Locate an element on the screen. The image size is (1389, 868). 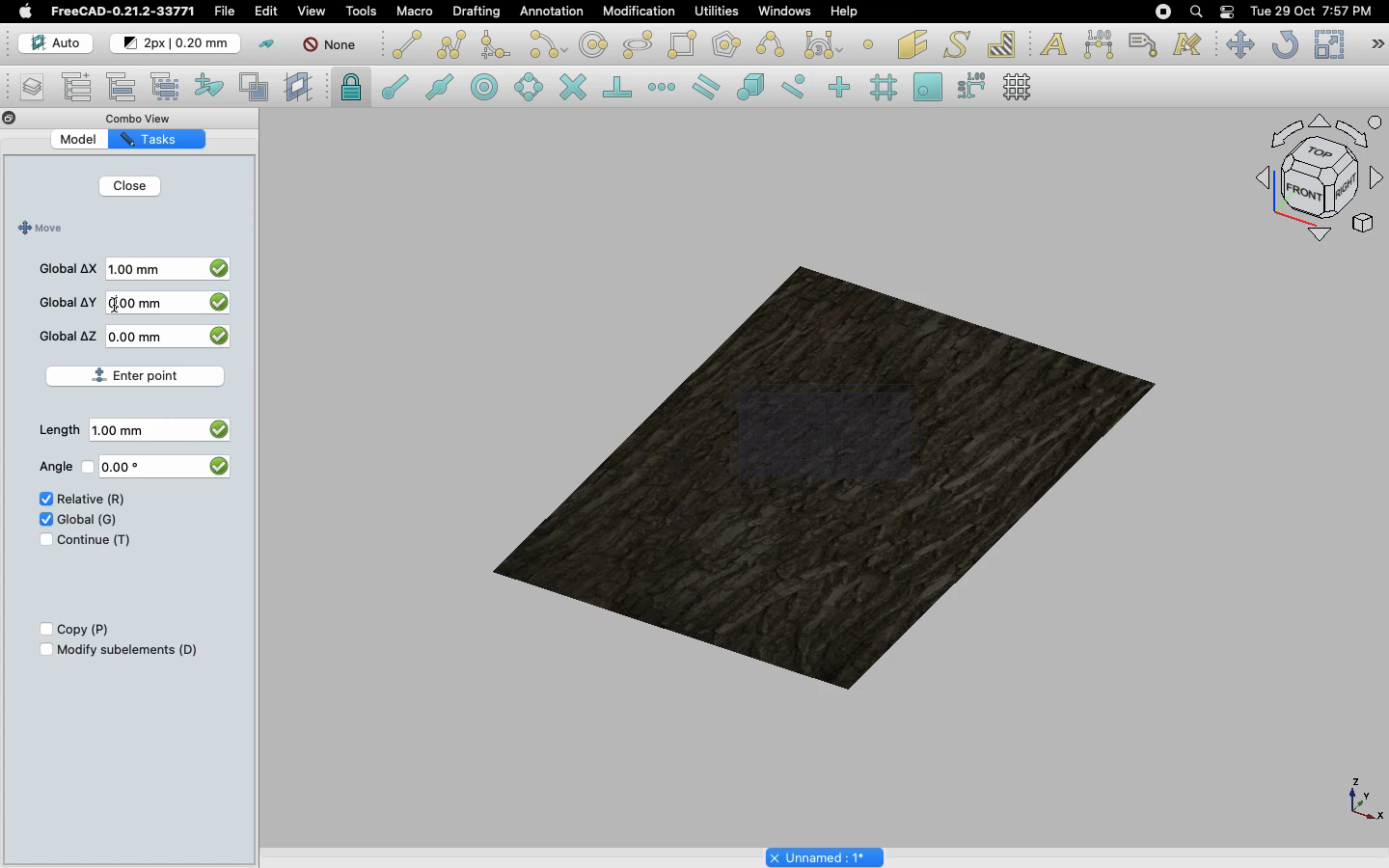
checkbox is located at coordinates (222, 339).